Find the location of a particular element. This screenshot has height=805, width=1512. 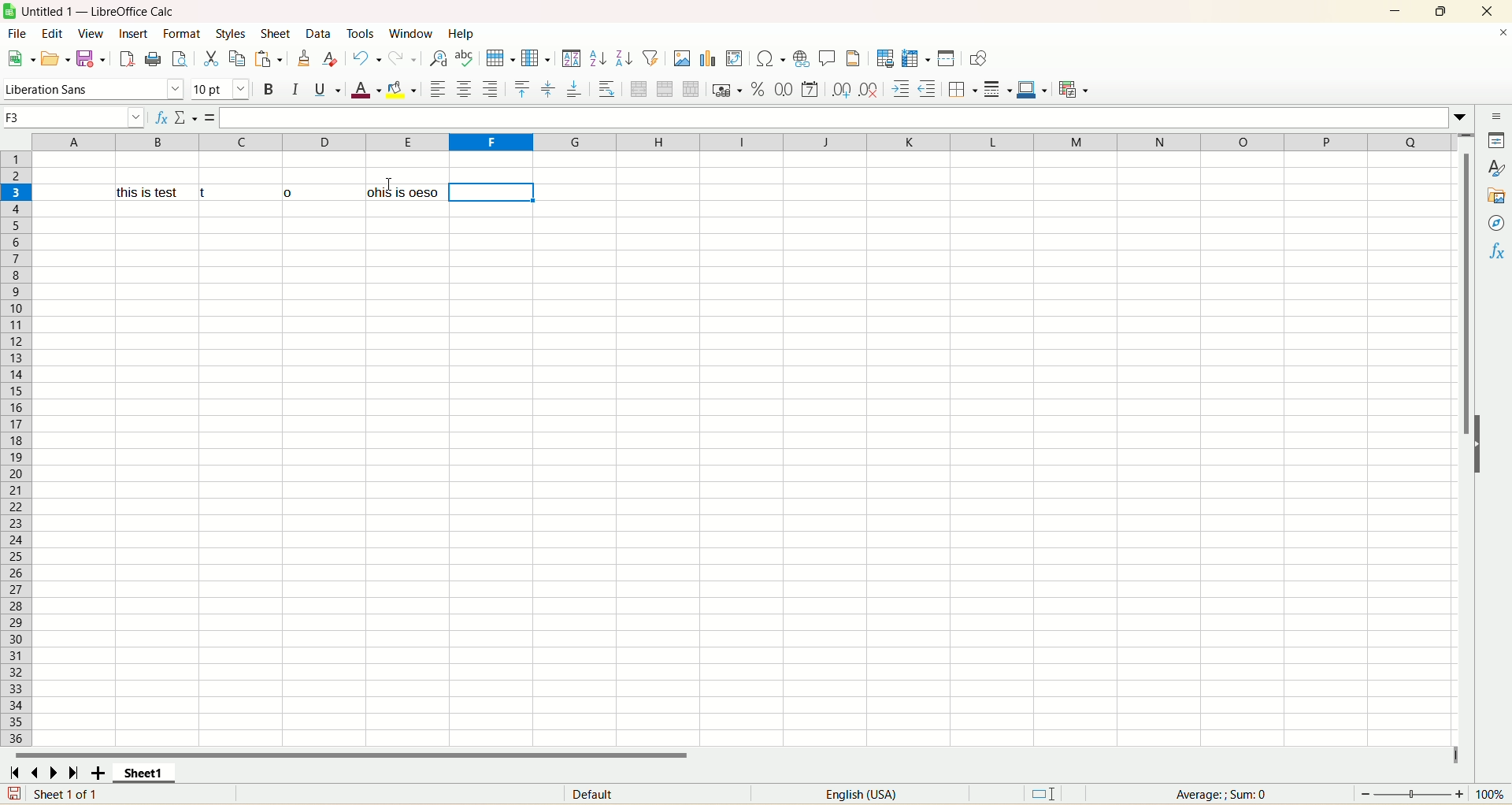

increase indent is located at coordinates (902, 90).